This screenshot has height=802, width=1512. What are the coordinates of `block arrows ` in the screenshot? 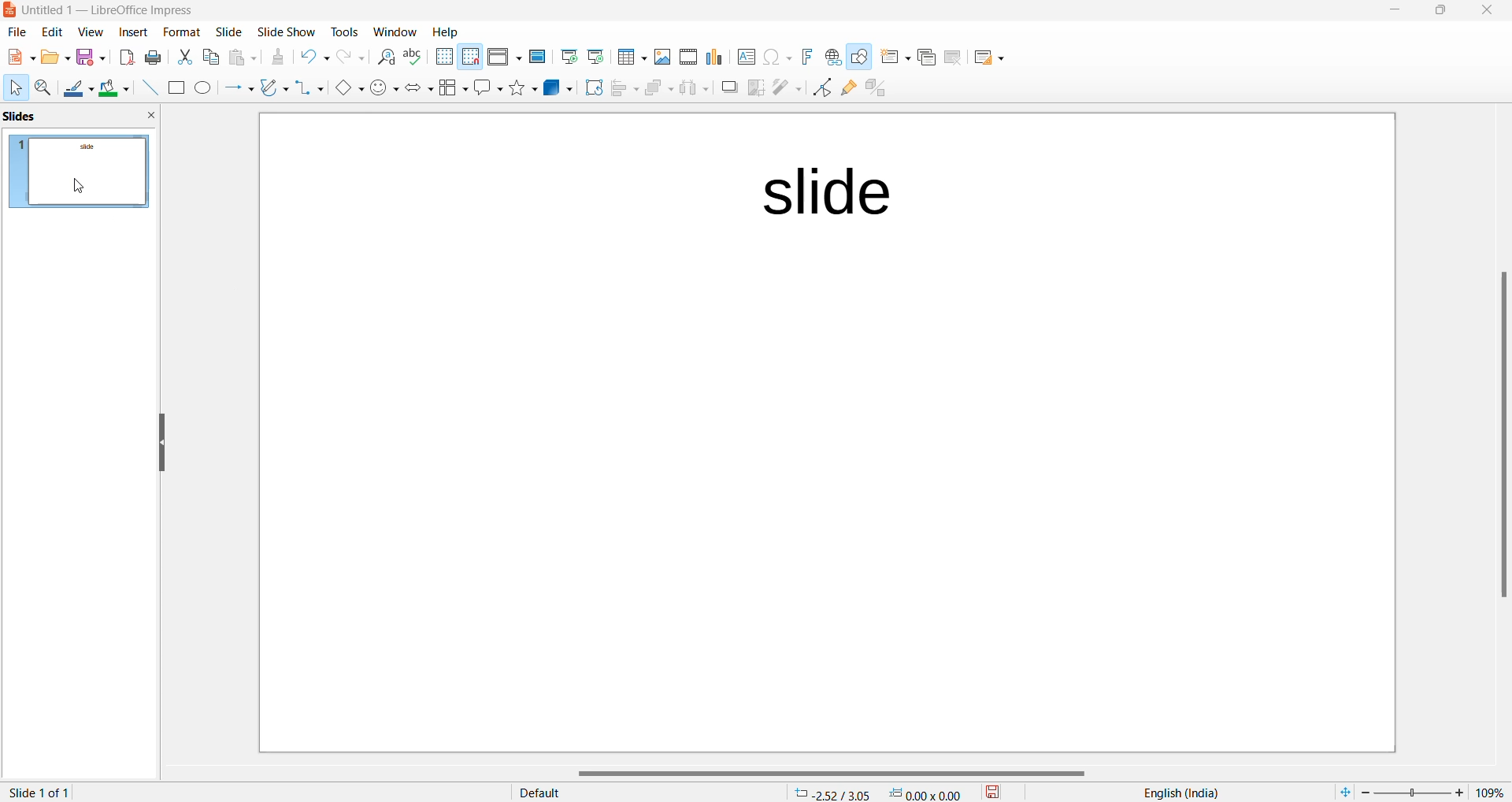 It's located at (421, 89).